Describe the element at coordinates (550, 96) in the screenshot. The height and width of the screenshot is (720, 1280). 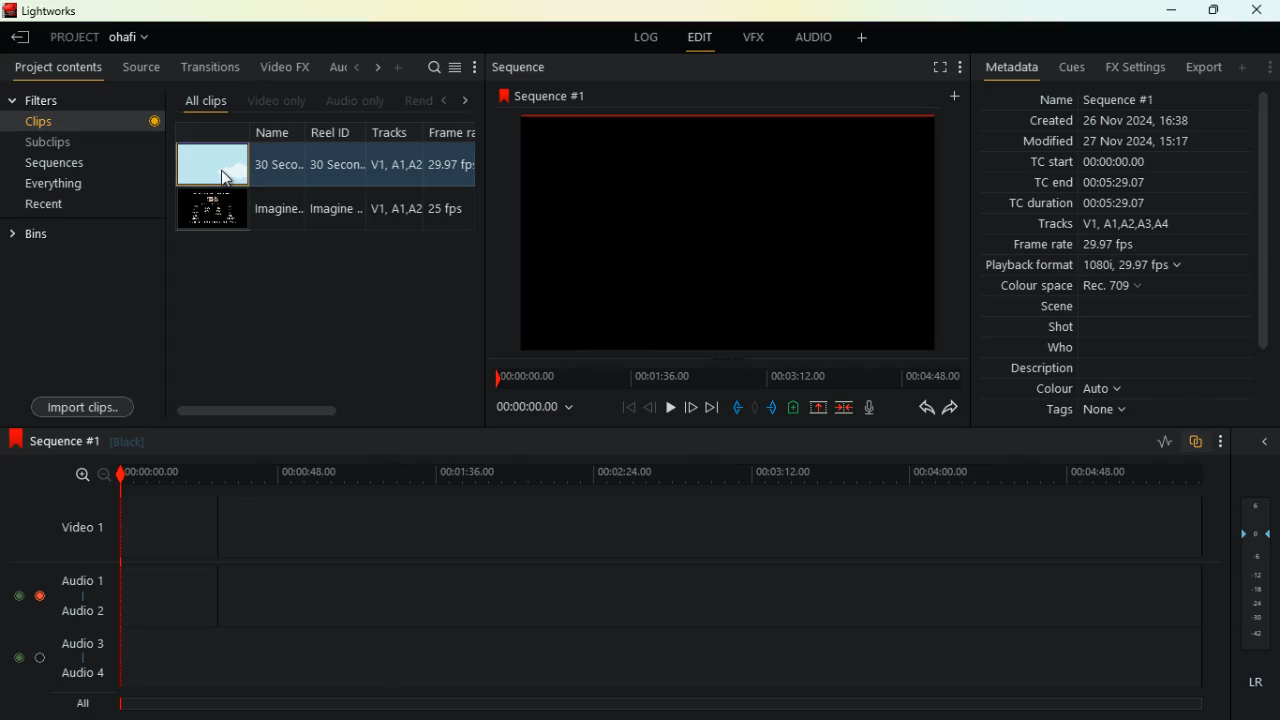
I see `sequence` at that location.